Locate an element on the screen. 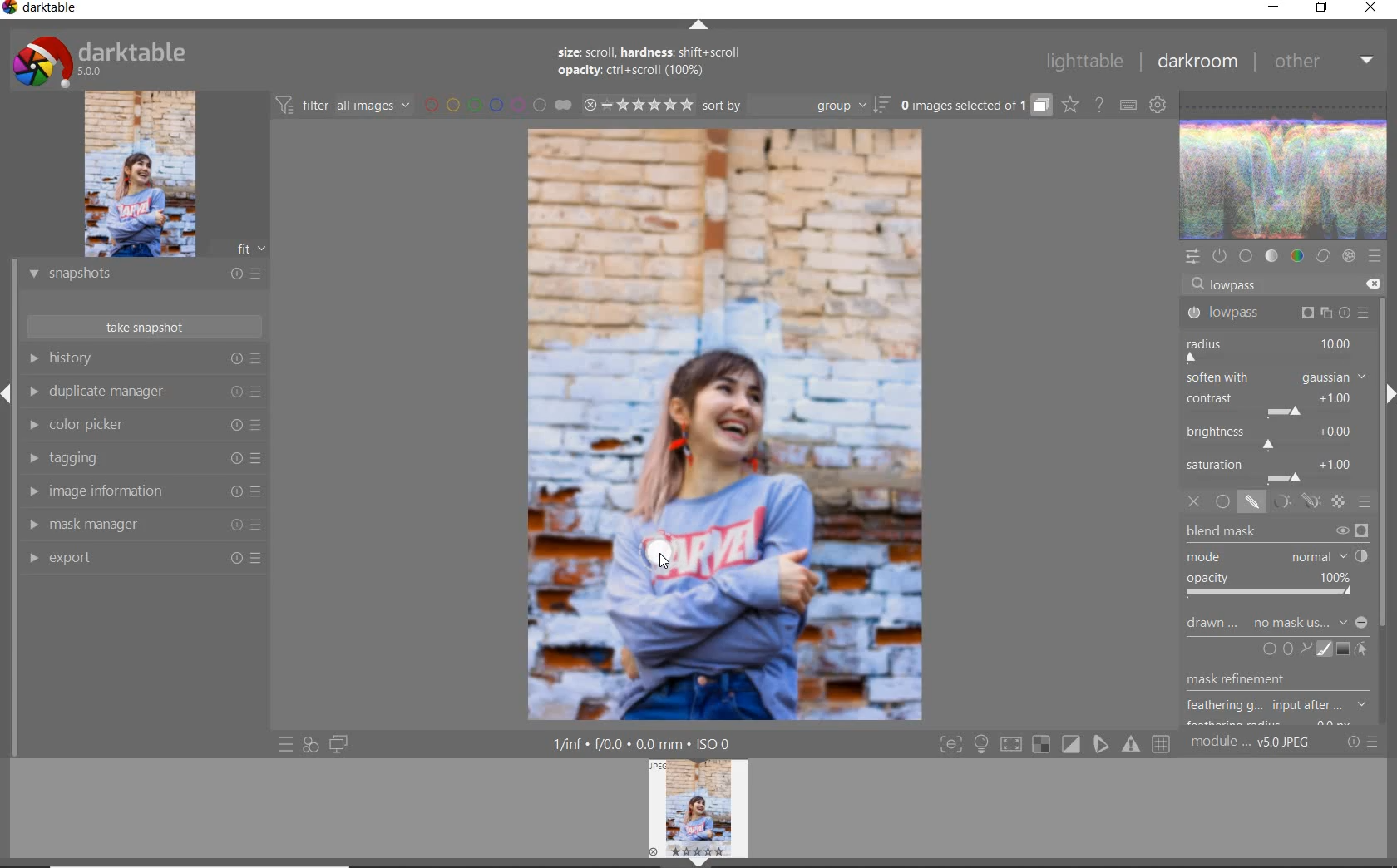 Image resolution: width=1397 pixels, height=868 pixels. export is located at coordinates (146, 558).